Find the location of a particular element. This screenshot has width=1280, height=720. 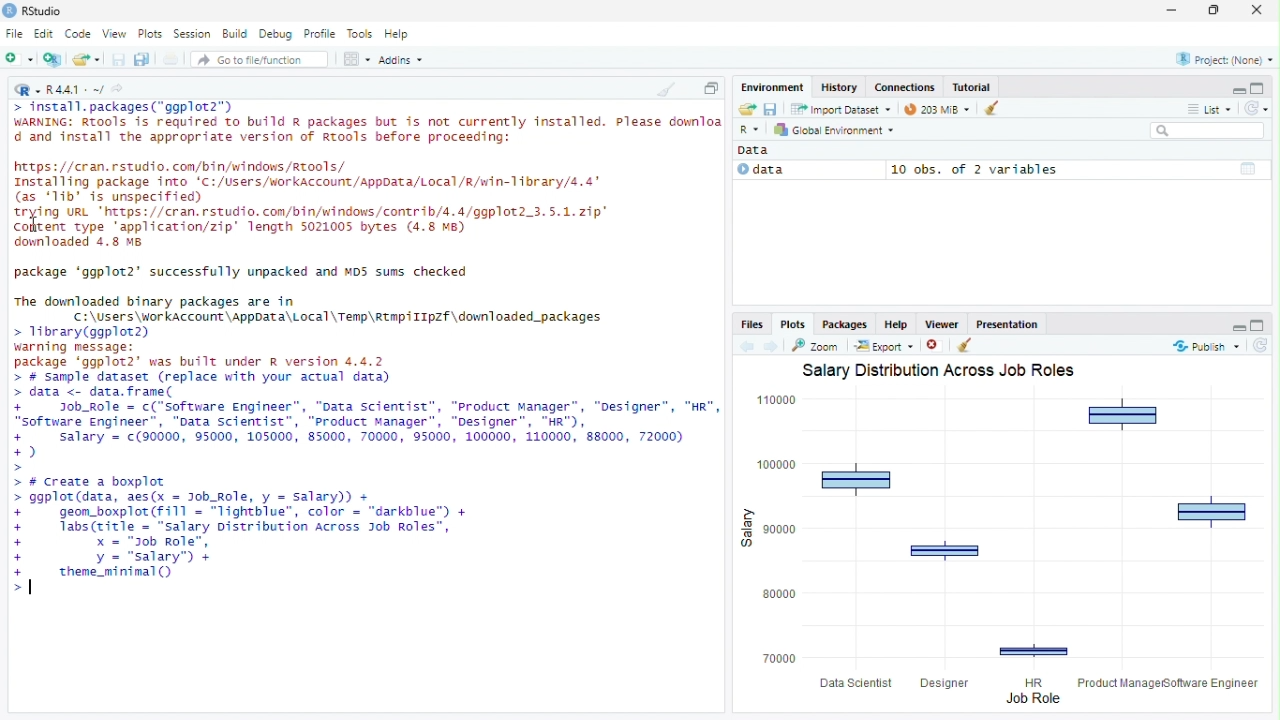

Cursor is located at coordinates (30, 585).